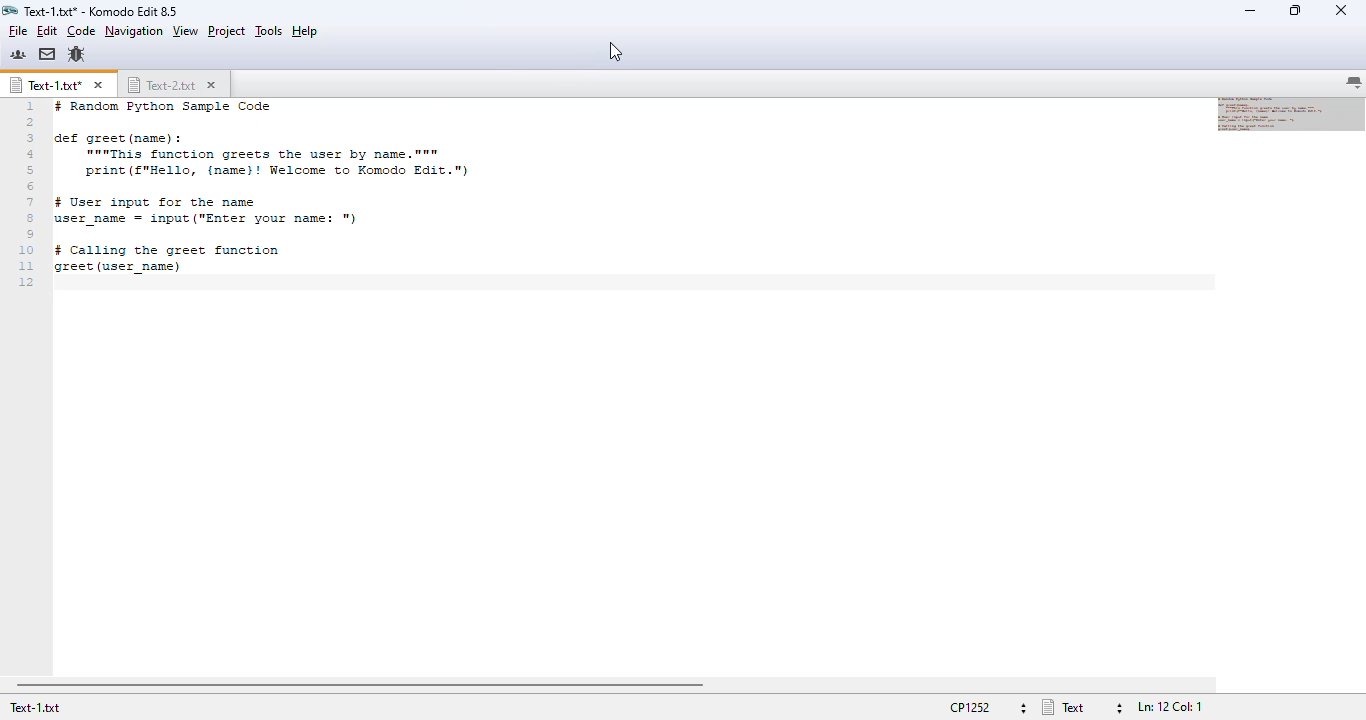 The height and width of the screenshot is (720, 1366). What do you see at coordinates (616, 52) in the screenshot?
I see `cursor` at bounding box center [616, 52].